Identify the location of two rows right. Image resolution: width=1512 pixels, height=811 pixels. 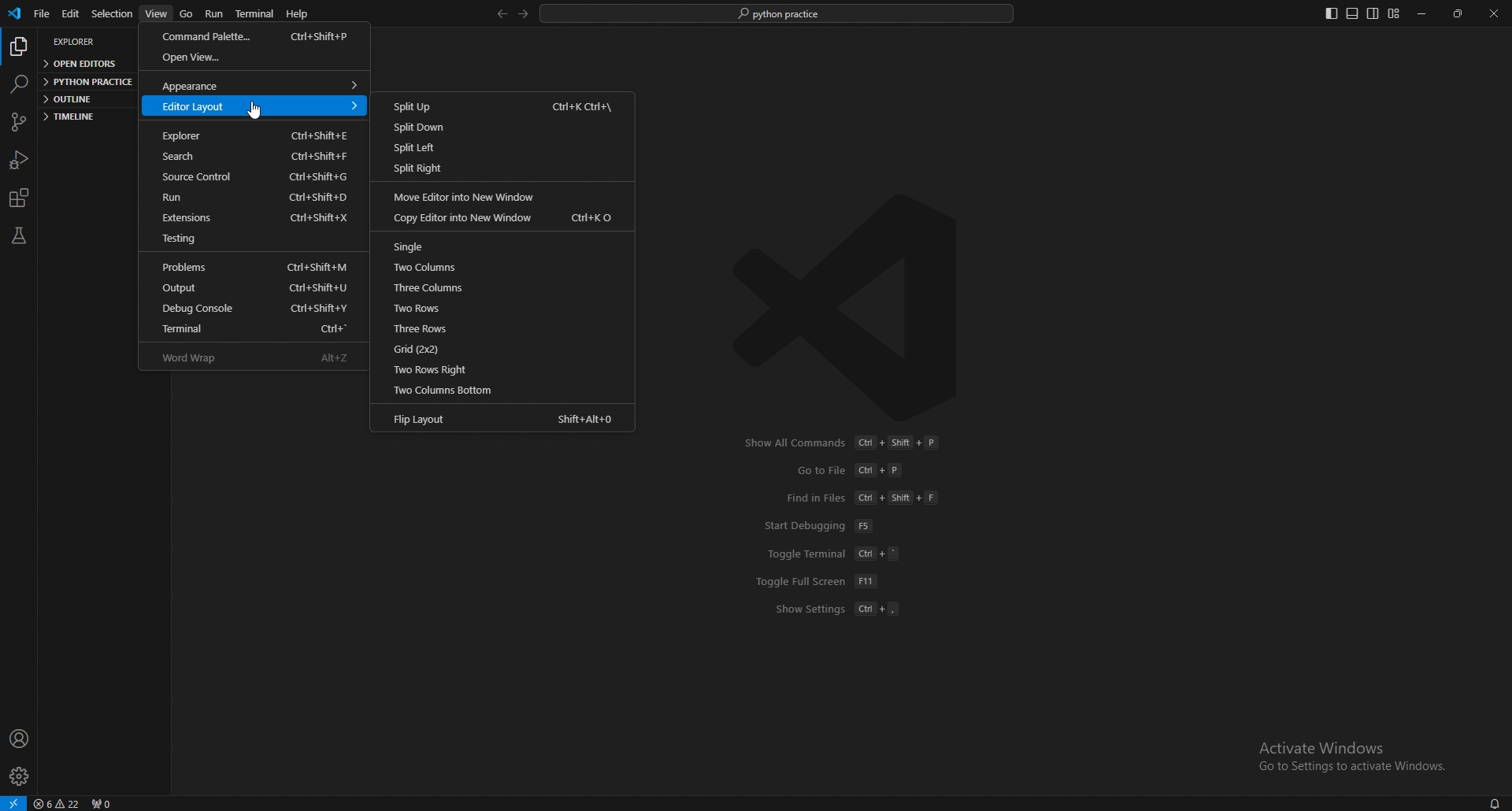
(497, 370).